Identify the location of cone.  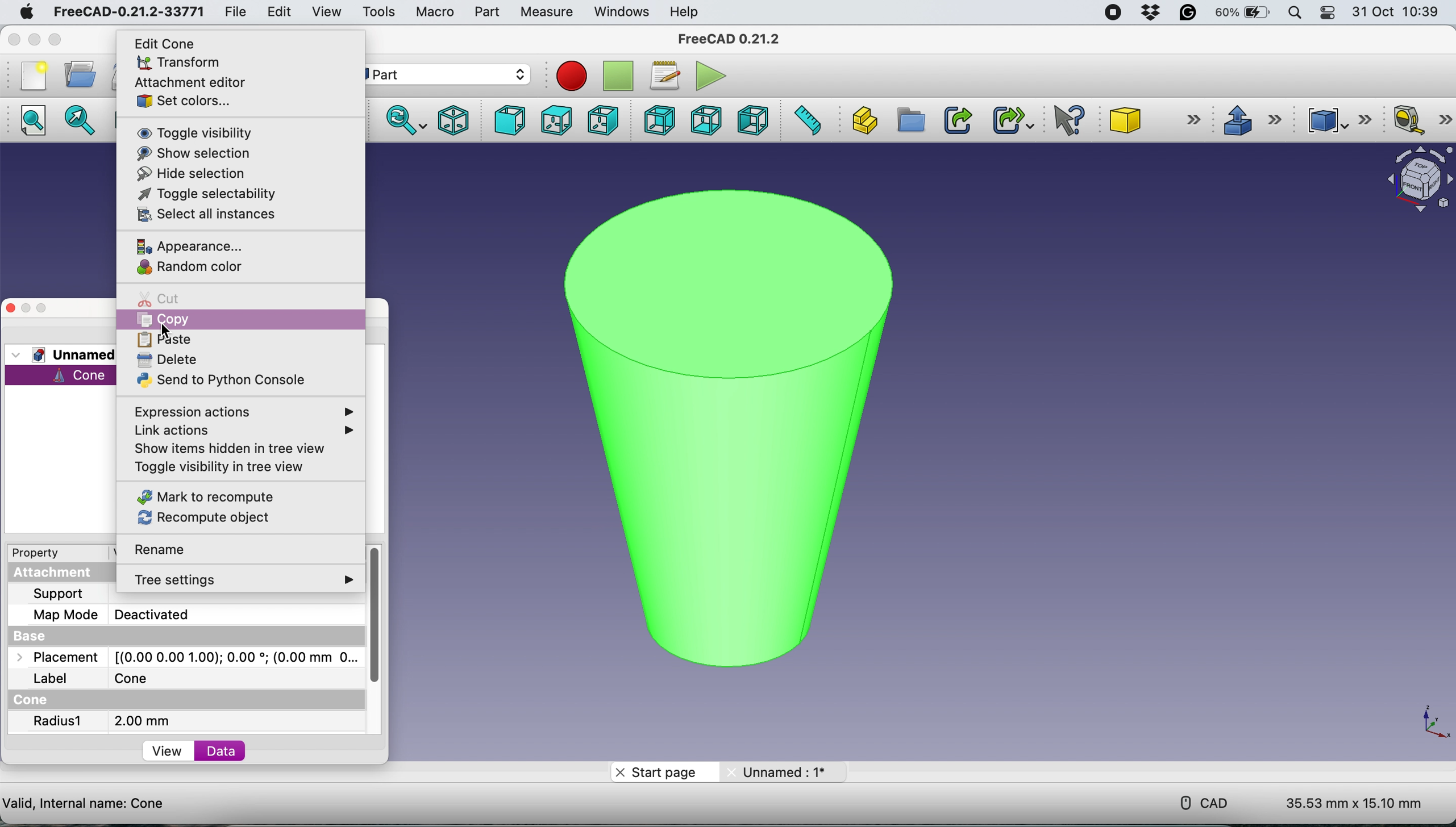
(720, 420).